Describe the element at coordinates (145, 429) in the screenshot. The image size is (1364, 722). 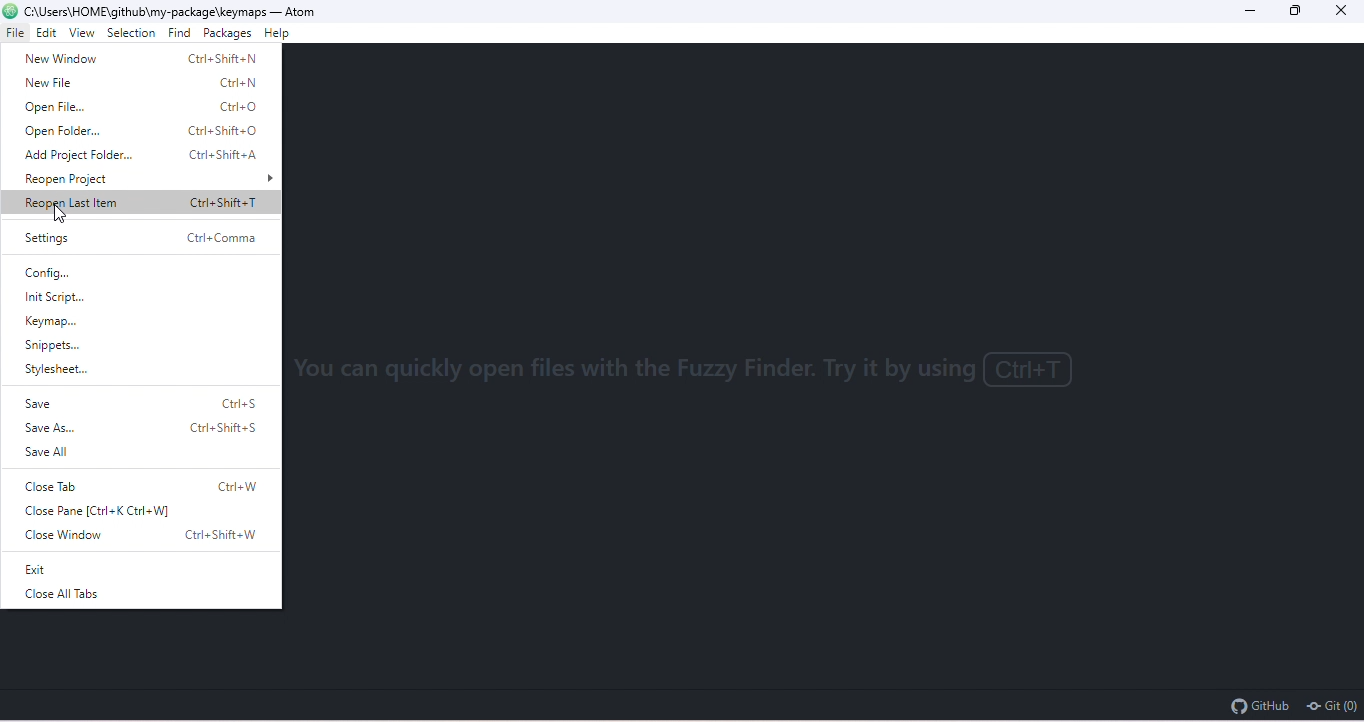
I see `save as Ctrl+Shift+S` at that location.